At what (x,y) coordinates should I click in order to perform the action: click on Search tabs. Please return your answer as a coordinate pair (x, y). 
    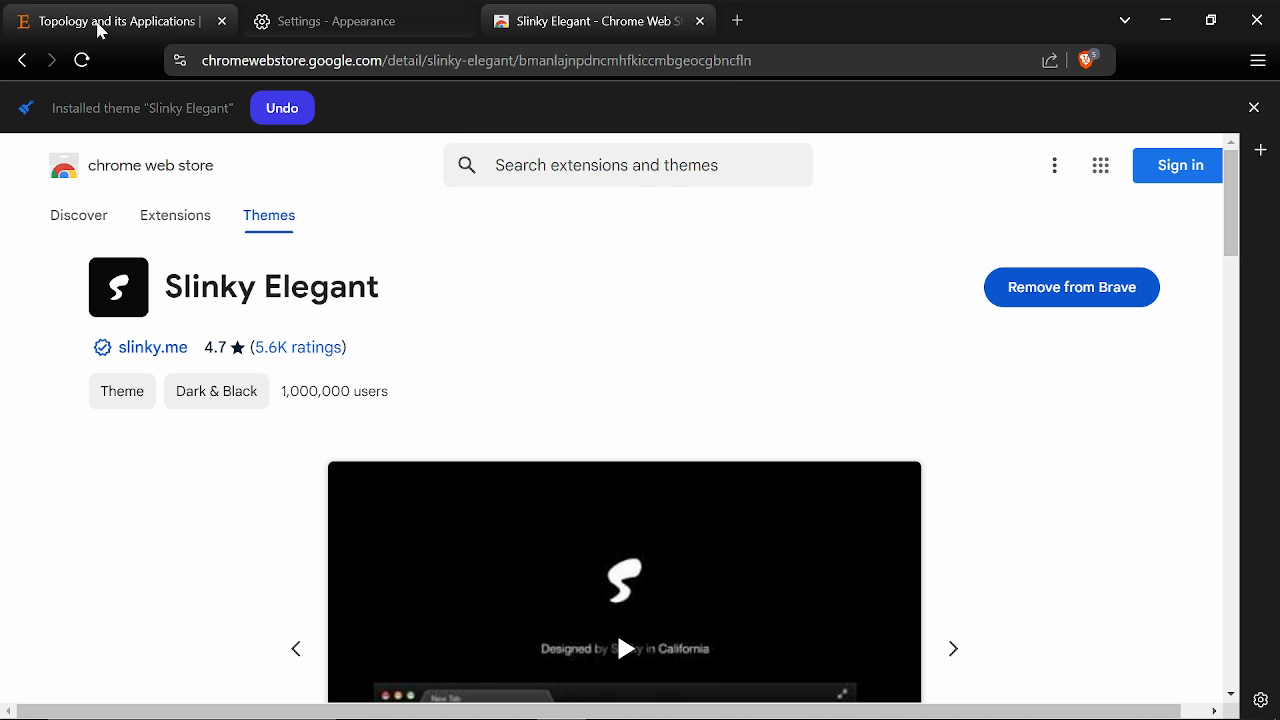
    Looking at the image, I should click on (1125, 22).